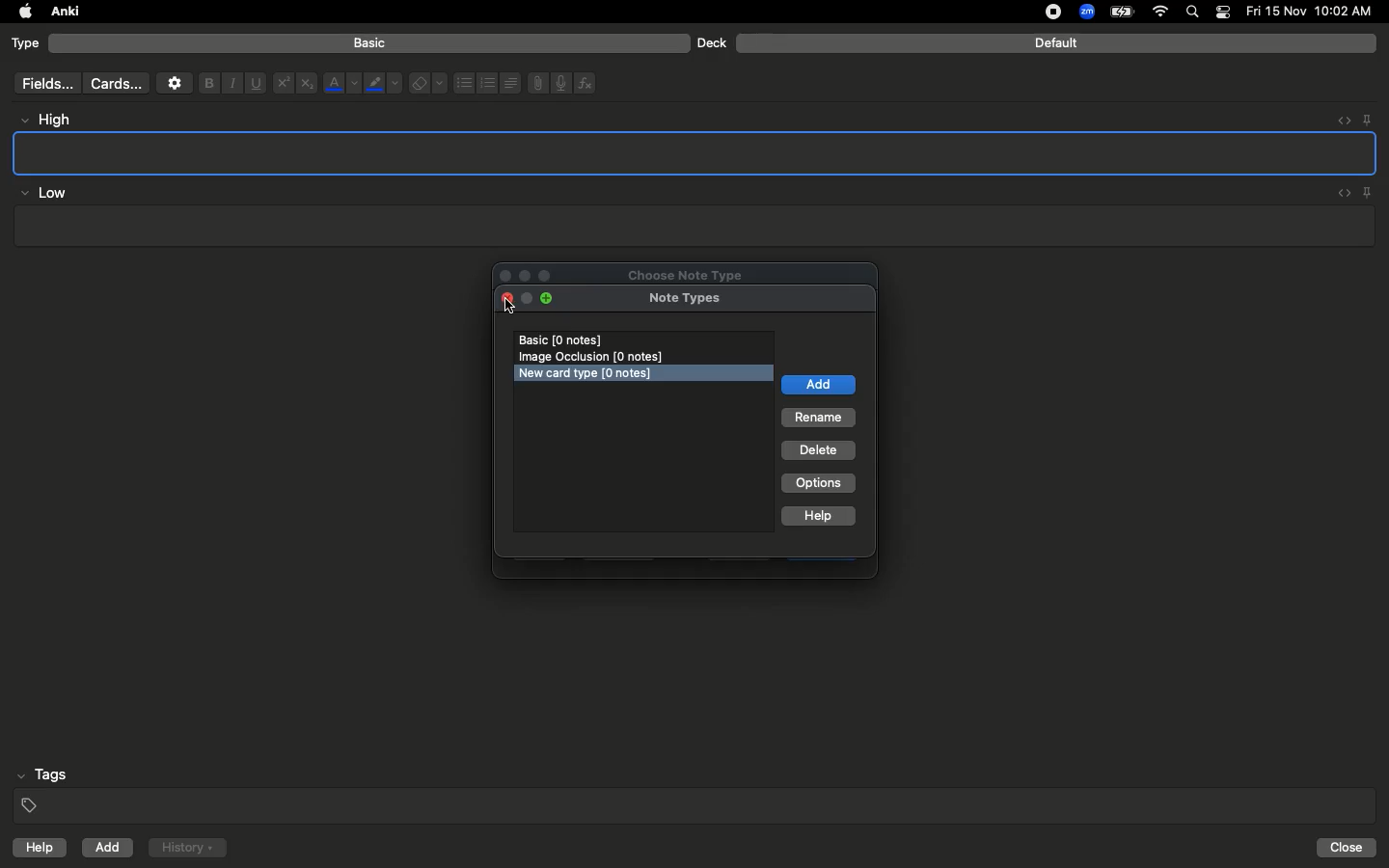 The width and height of the screenshot is (1389, 868). I want to click on Settings, so click(175, 83).